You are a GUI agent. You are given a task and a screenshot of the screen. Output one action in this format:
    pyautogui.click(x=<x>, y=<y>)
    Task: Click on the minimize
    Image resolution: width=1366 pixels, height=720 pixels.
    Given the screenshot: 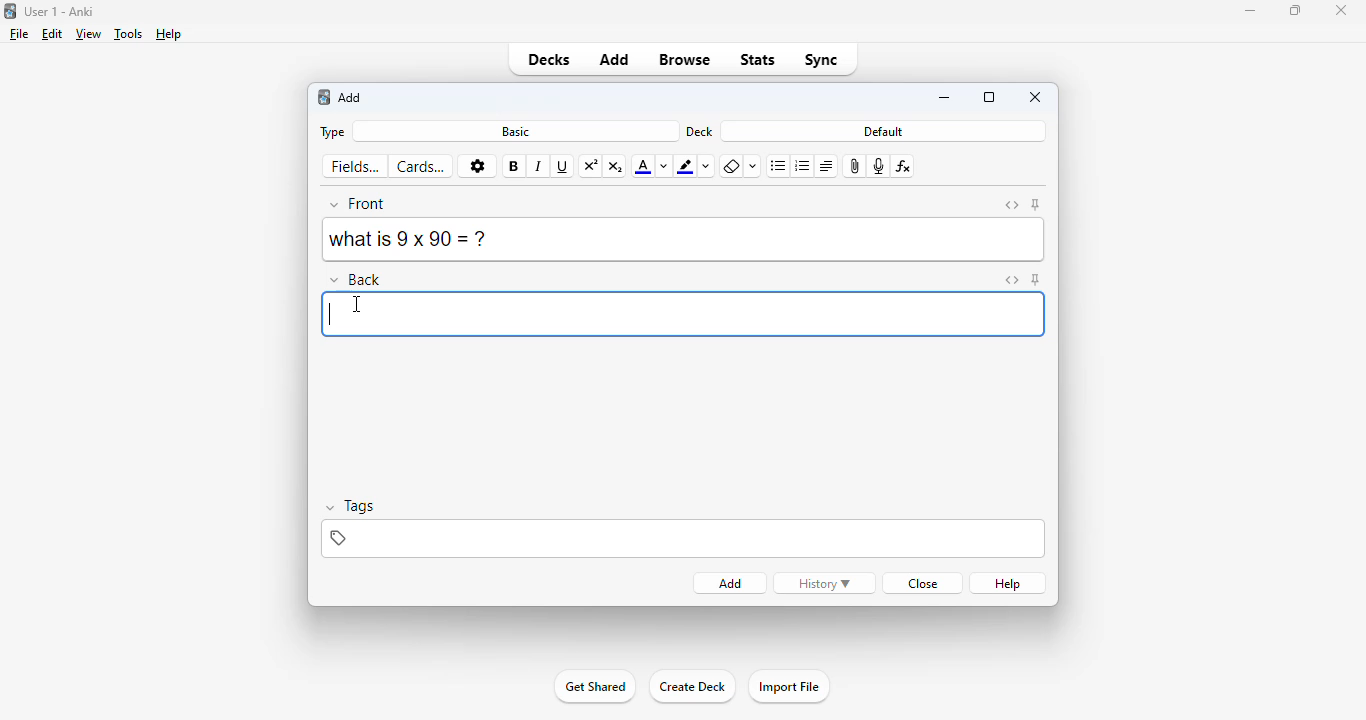 What is the action you would take?
    pyautogui.click(x=1249, y=11)
    